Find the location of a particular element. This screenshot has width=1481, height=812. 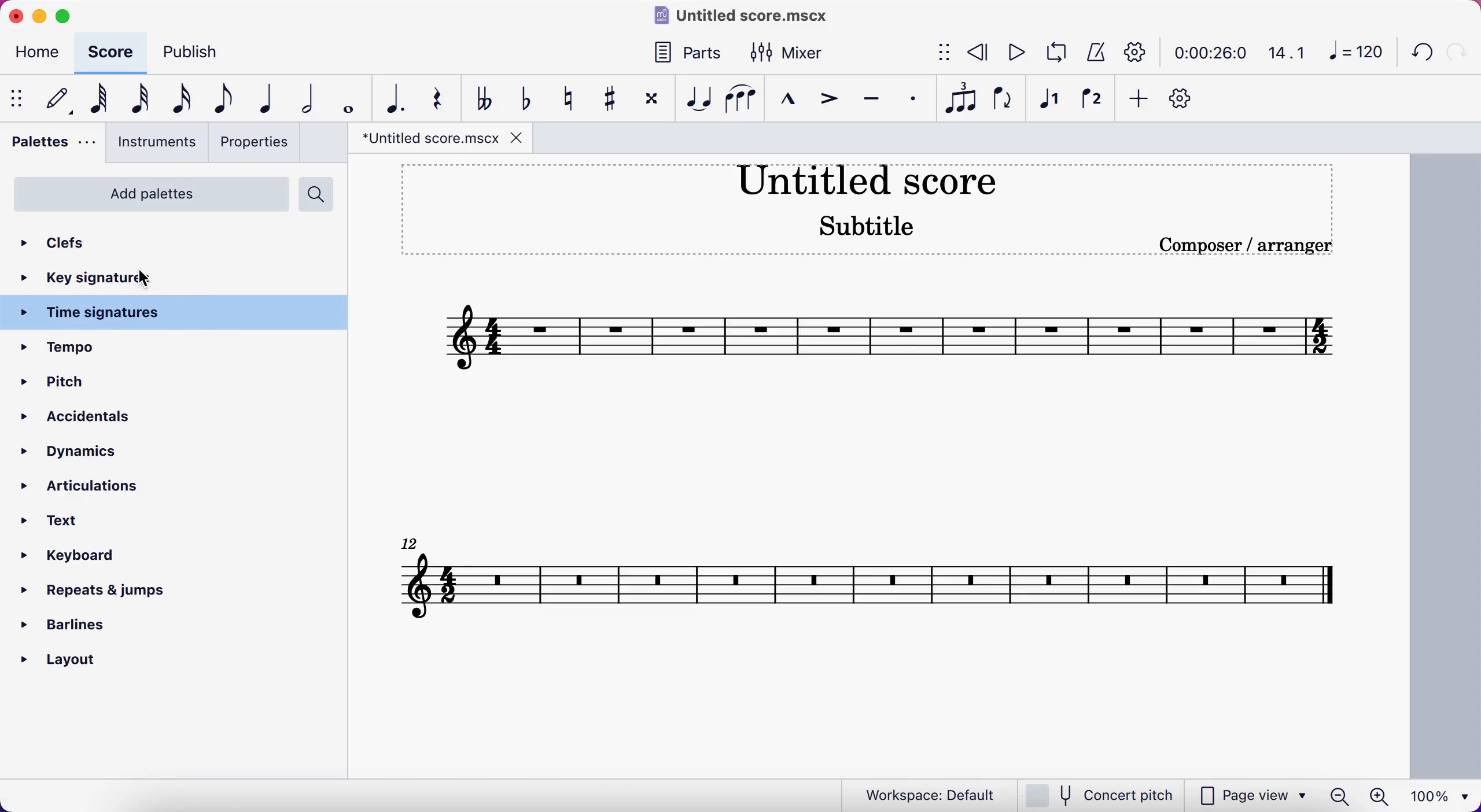

metronome is located at coordinates (1094, 53).